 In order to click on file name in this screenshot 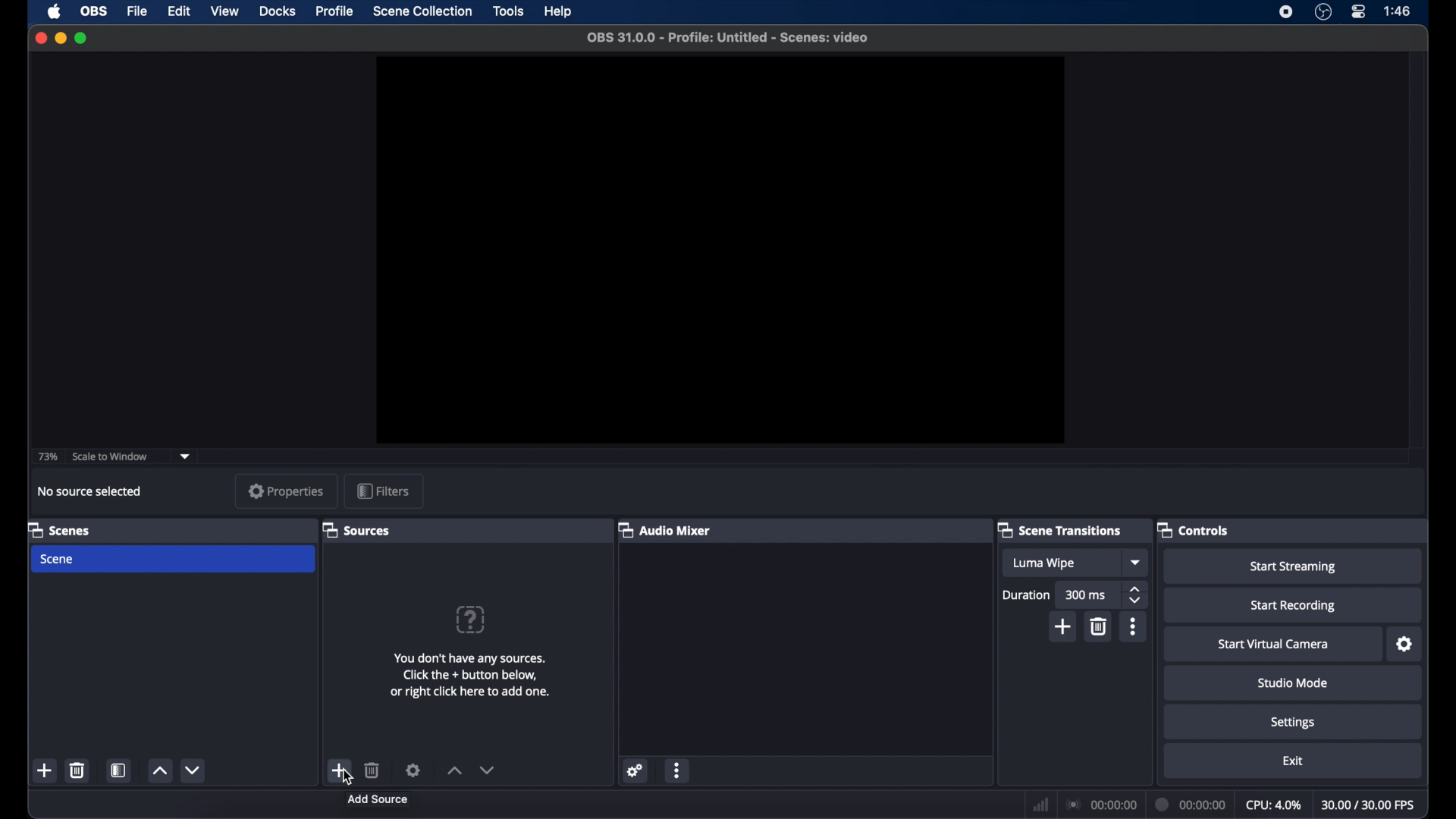, I will do `click(732, 38)`.